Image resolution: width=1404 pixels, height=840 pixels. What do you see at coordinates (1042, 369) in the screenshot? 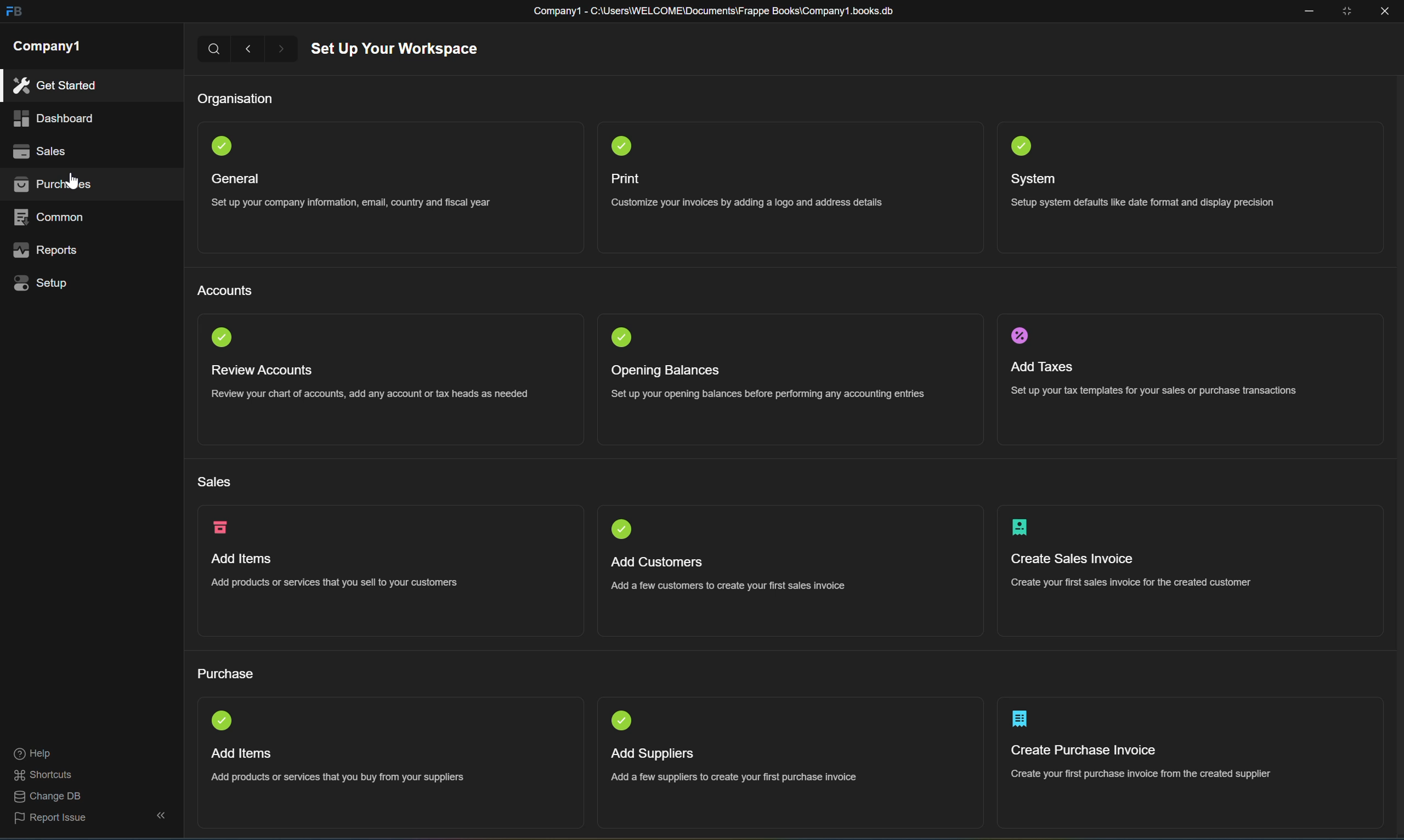
I see `add taxes` at bounding box center [1042, 369].